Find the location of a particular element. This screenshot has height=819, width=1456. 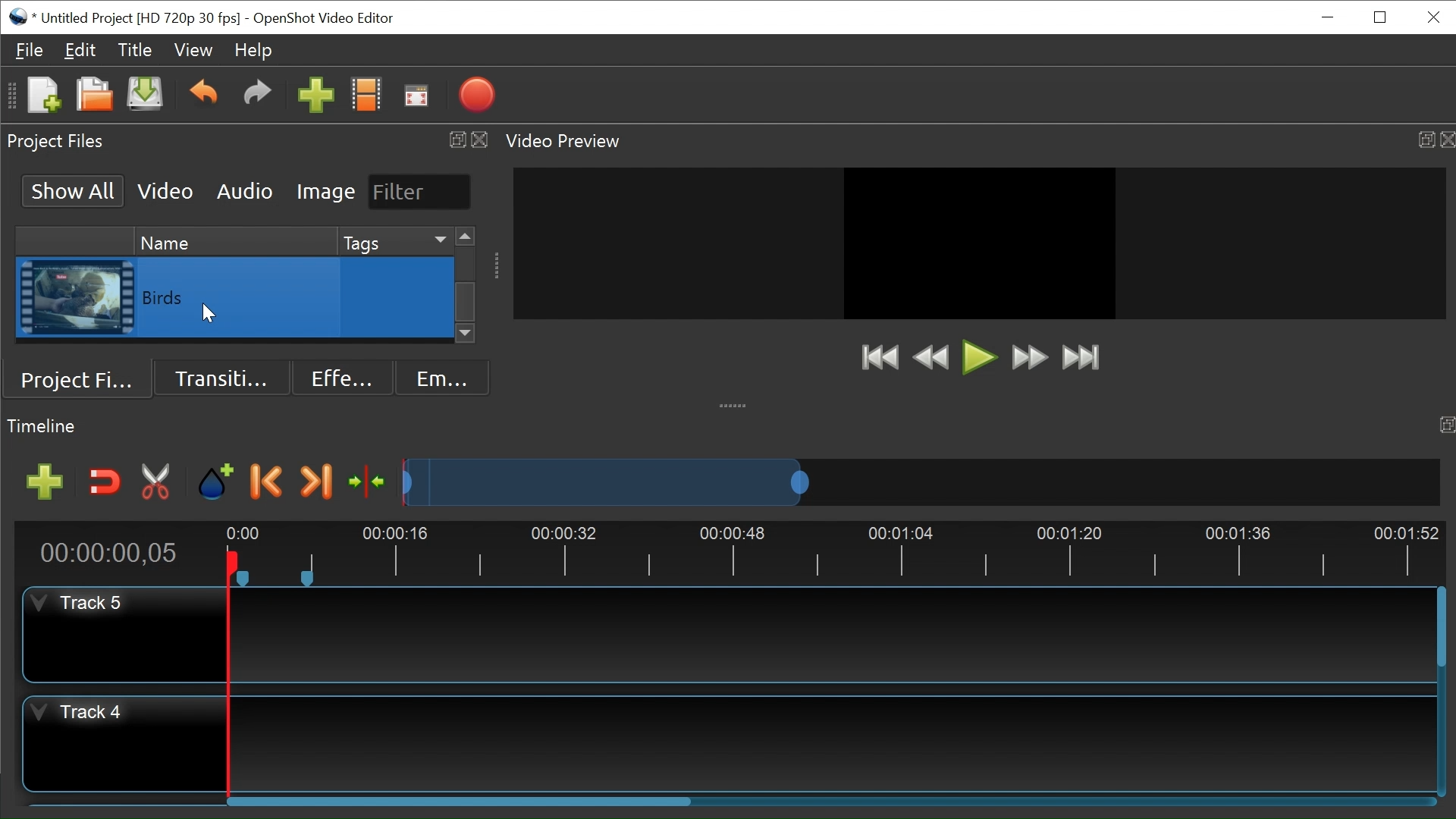

Add Track is located at coordinates (39, 482).